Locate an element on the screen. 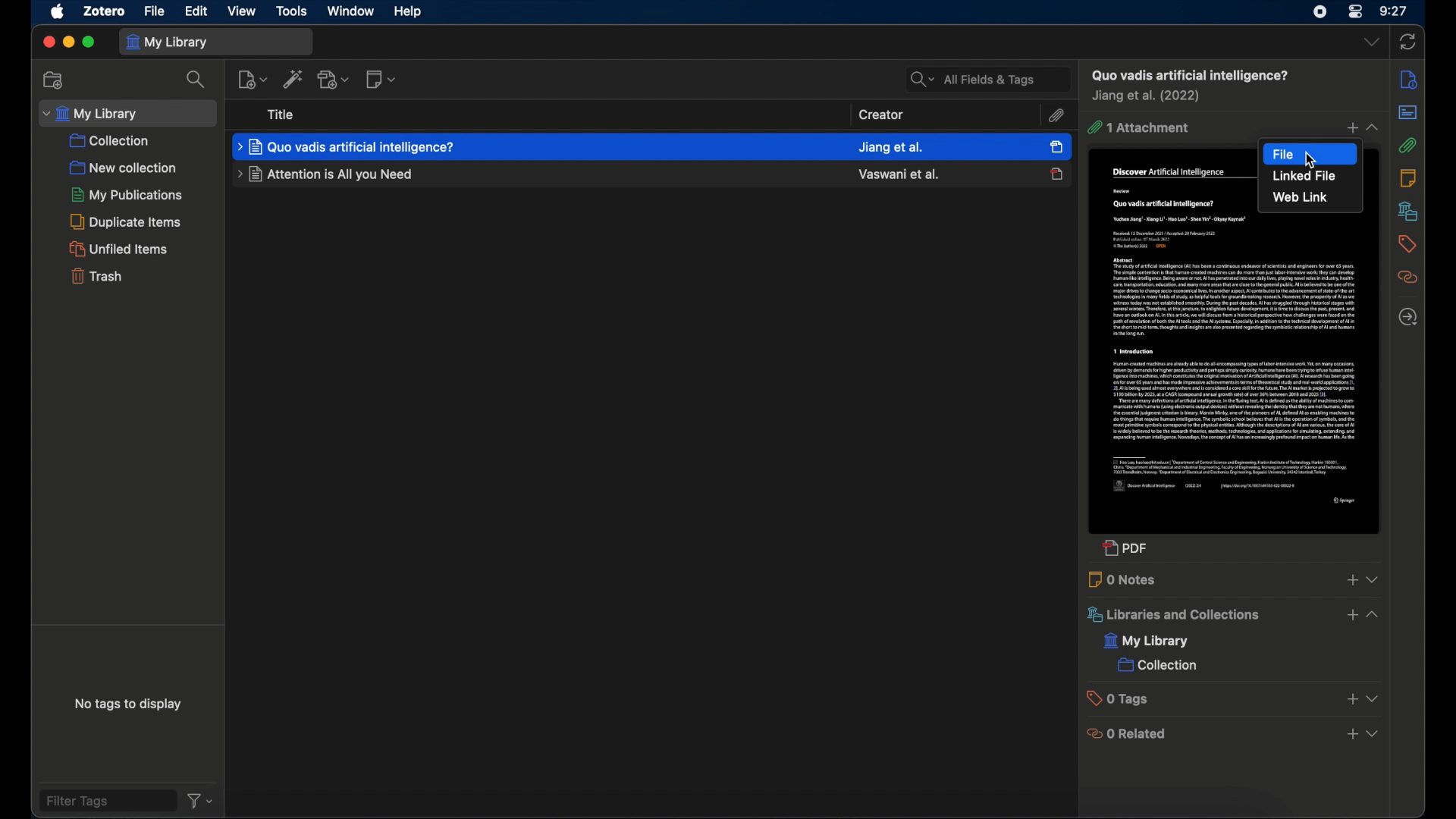  my library is located at coordinates (1147, 642).